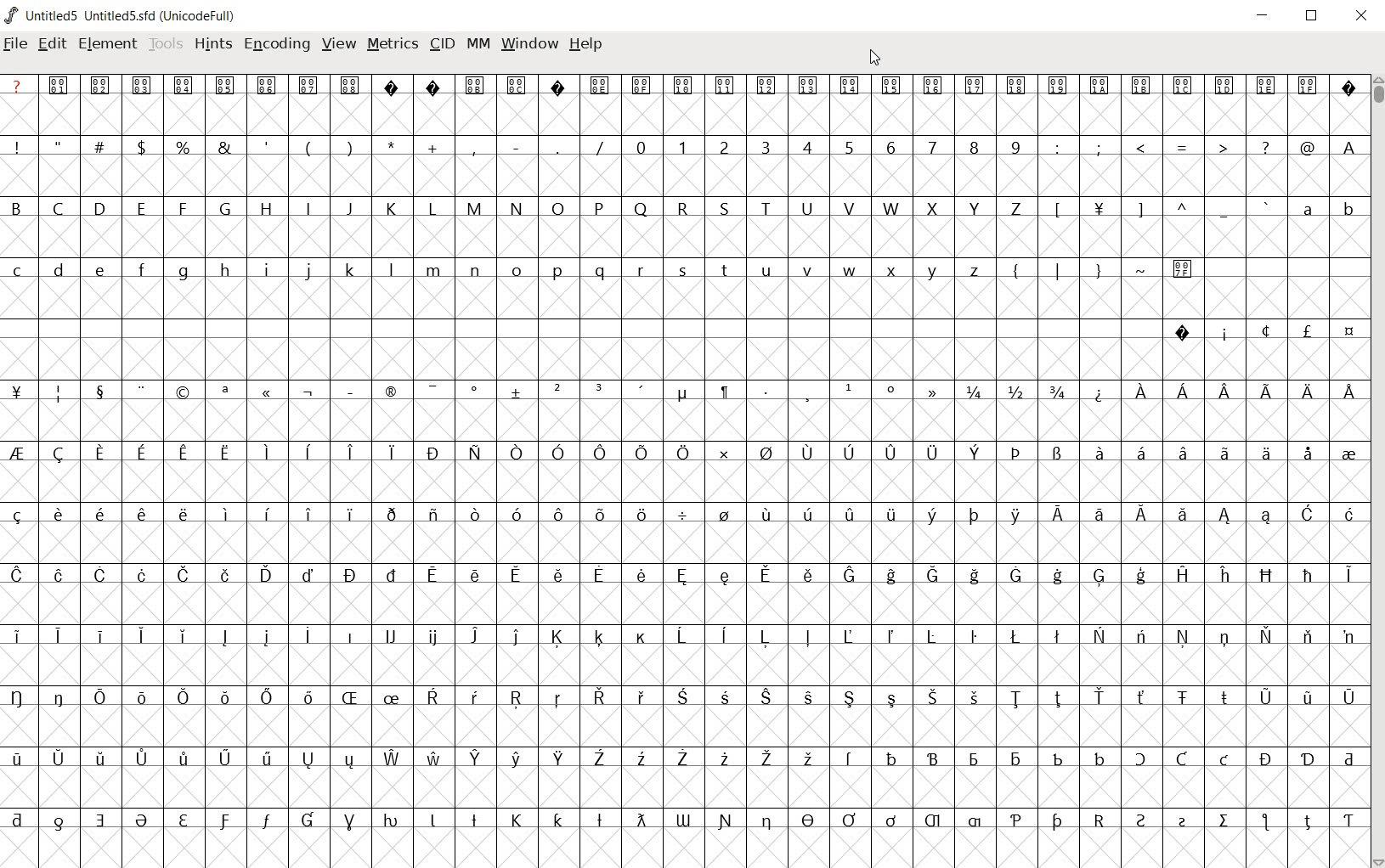 The height and width of the screenshot is (868, 1385). I want to click on Symbol, so click(1098, 392).